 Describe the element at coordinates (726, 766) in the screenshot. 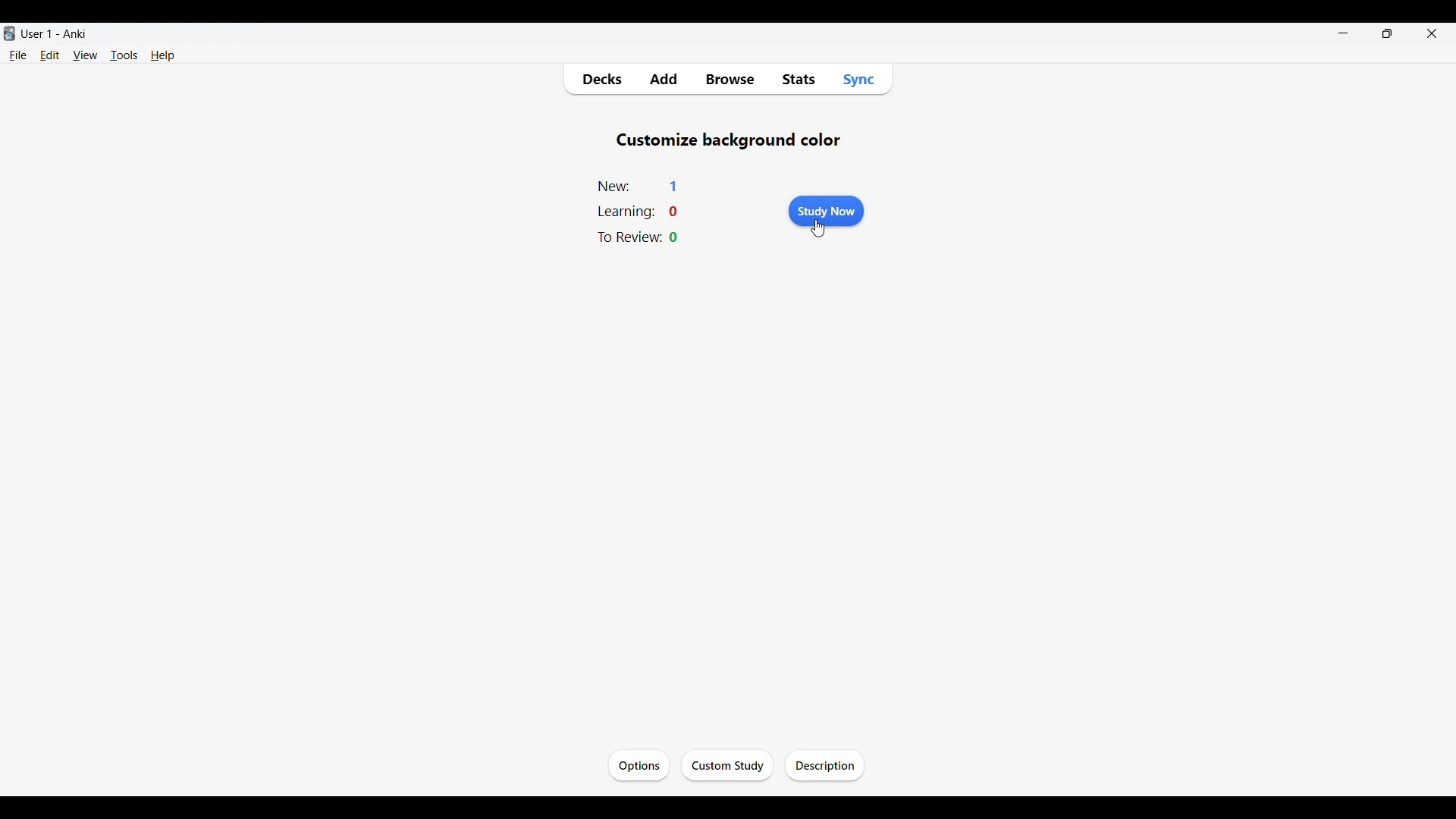

I see `Custom study` at that location.